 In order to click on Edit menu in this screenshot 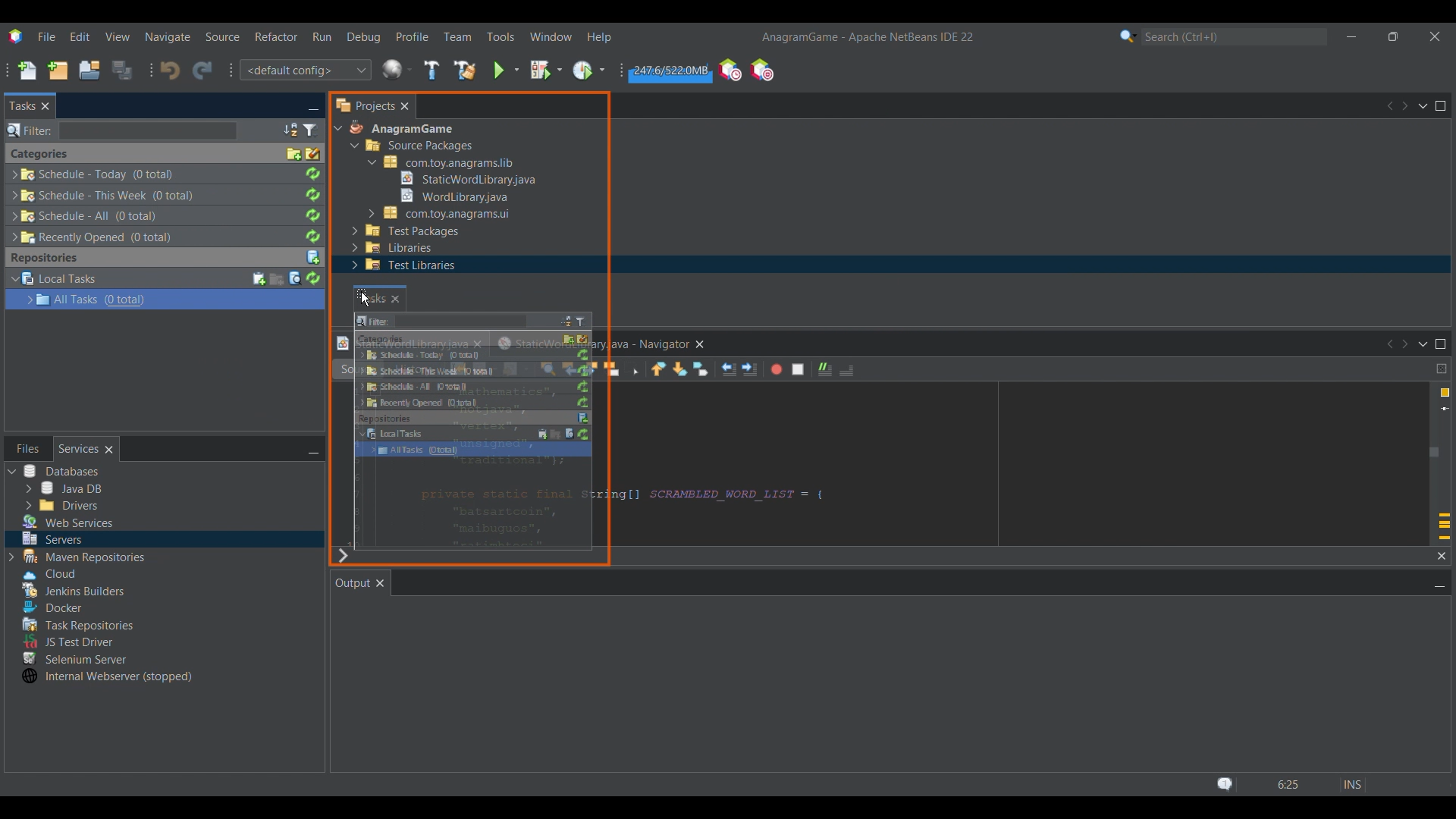, I will do `click(80, 36)`.